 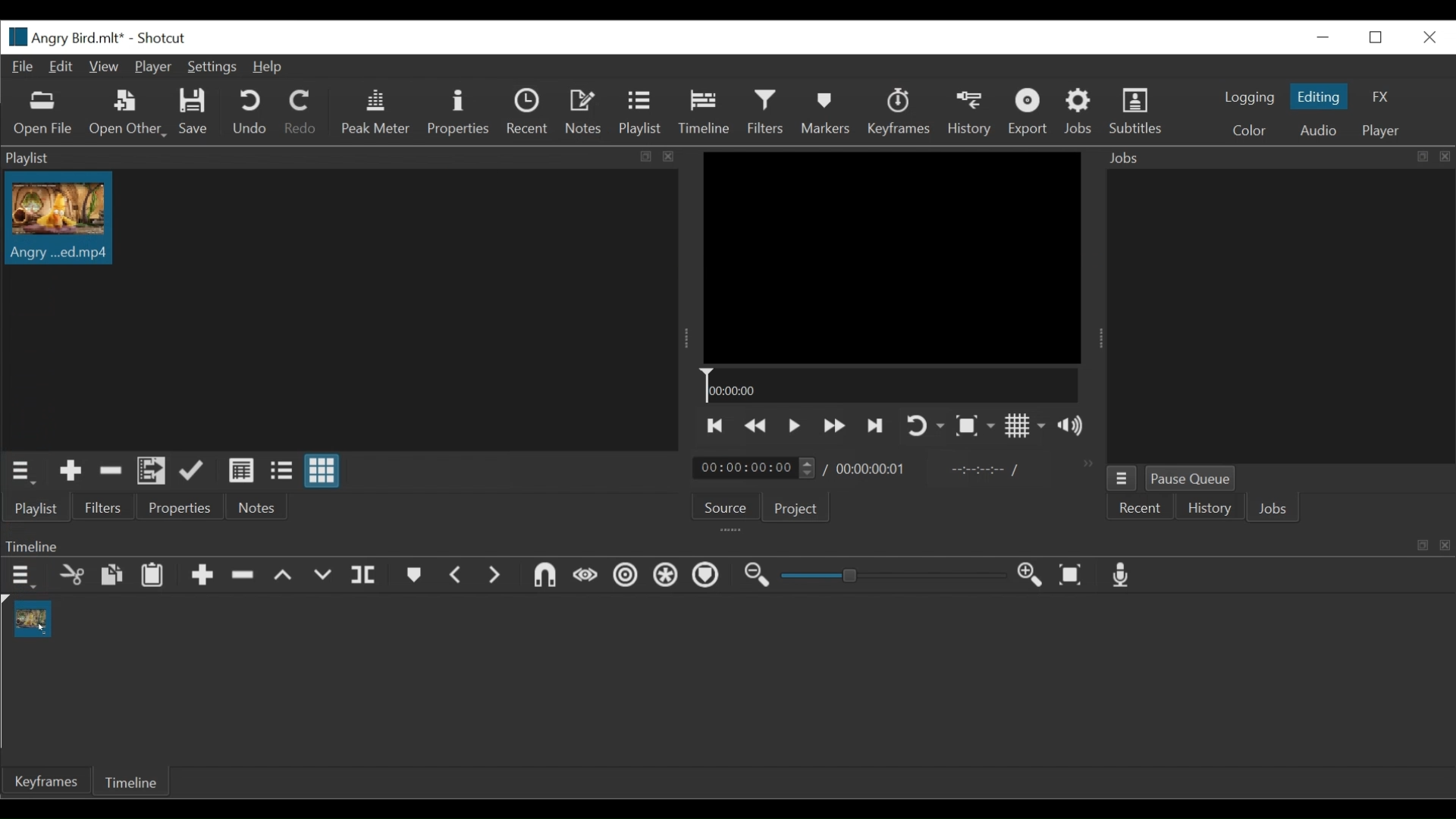 I want to click on Subtitles, so click(x=1137, y=111).